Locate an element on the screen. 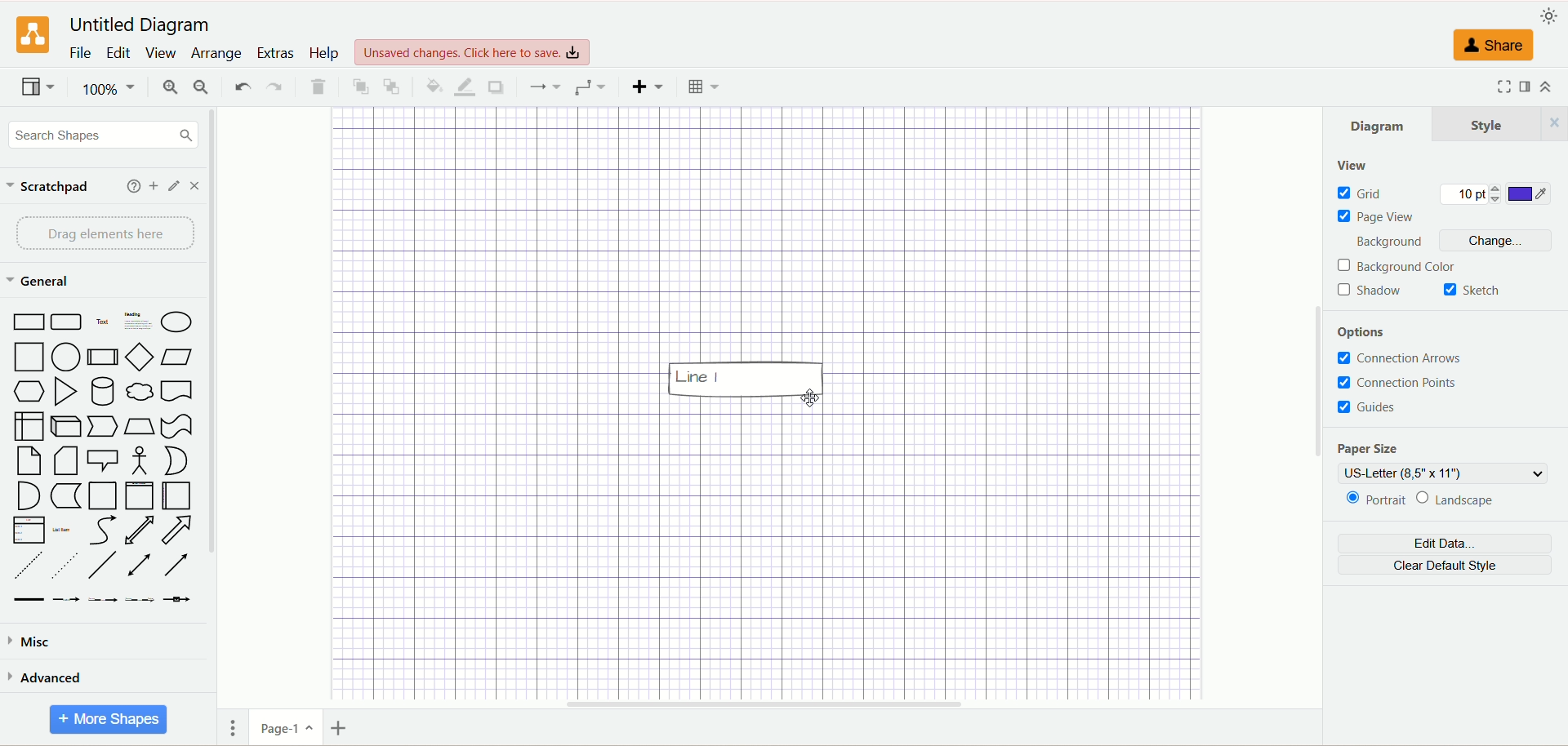 The width and height of the screenshot is (1568, 746). delete is located at coordinates (319, 87).